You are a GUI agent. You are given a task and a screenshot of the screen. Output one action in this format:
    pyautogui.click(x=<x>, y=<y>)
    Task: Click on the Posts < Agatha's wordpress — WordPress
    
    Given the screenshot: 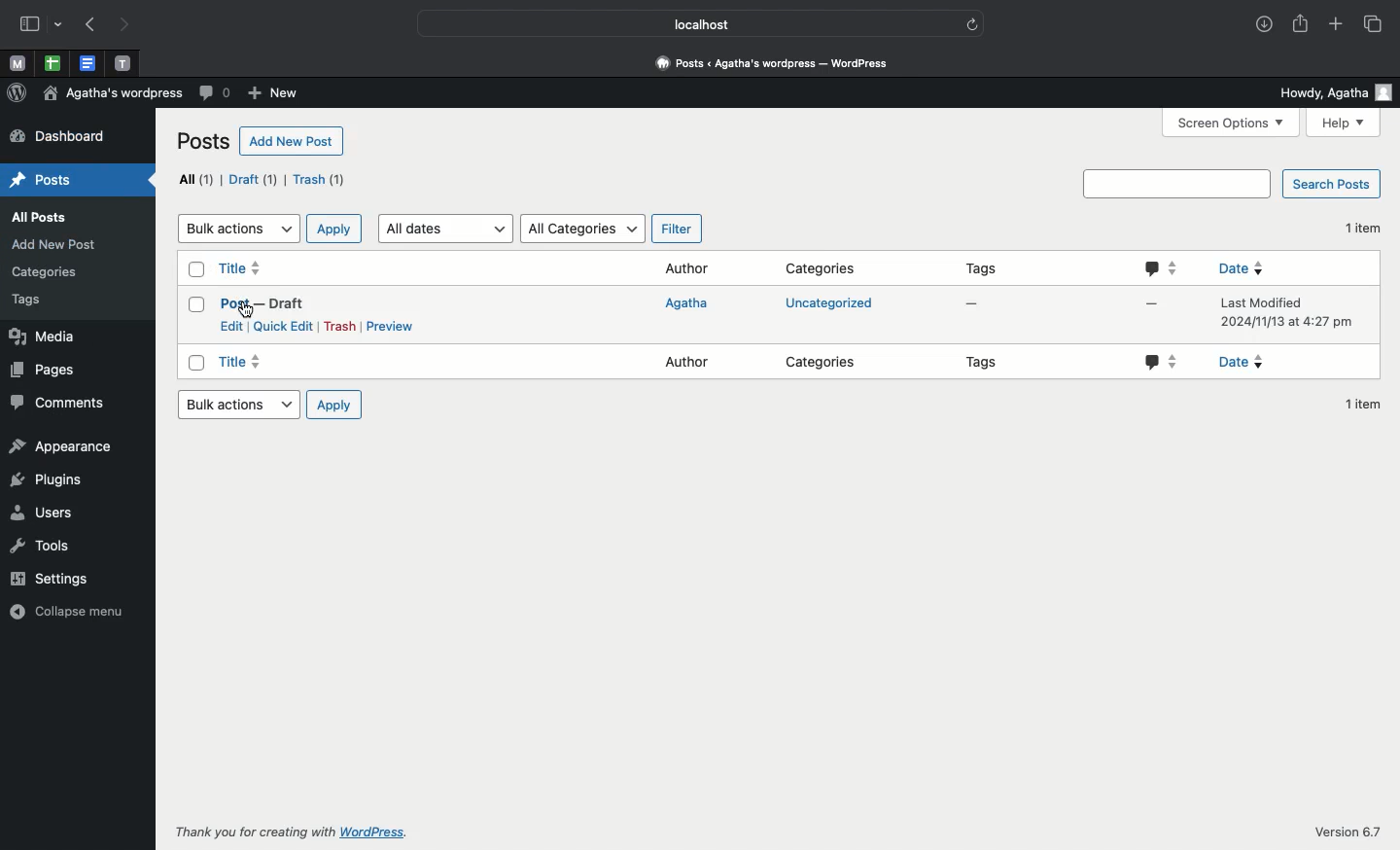 What is the action you would take?
    pyautogui.click(x=779, y=62)
    